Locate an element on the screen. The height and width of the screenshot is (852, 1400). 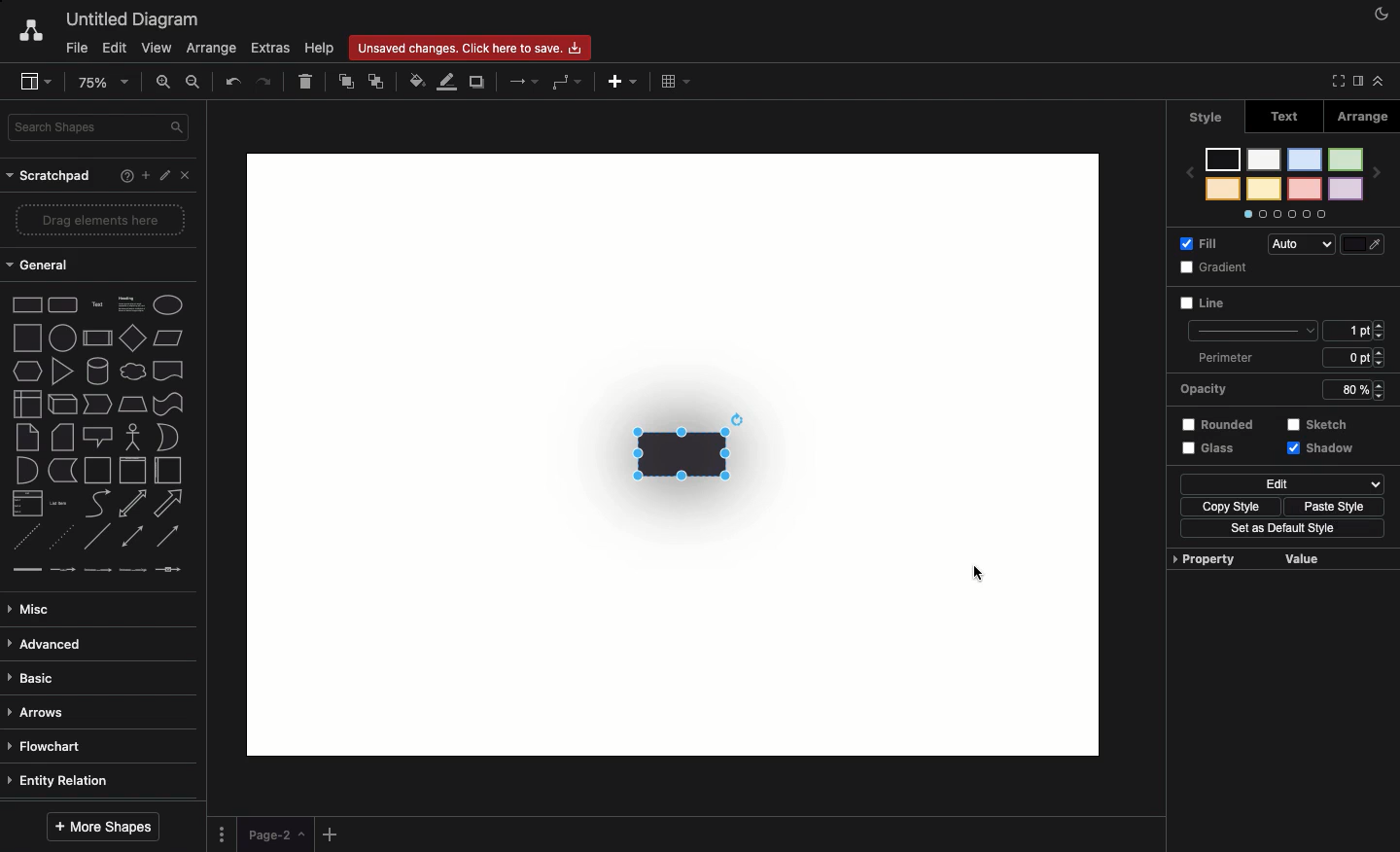
square is located at coordinates (29, 337).